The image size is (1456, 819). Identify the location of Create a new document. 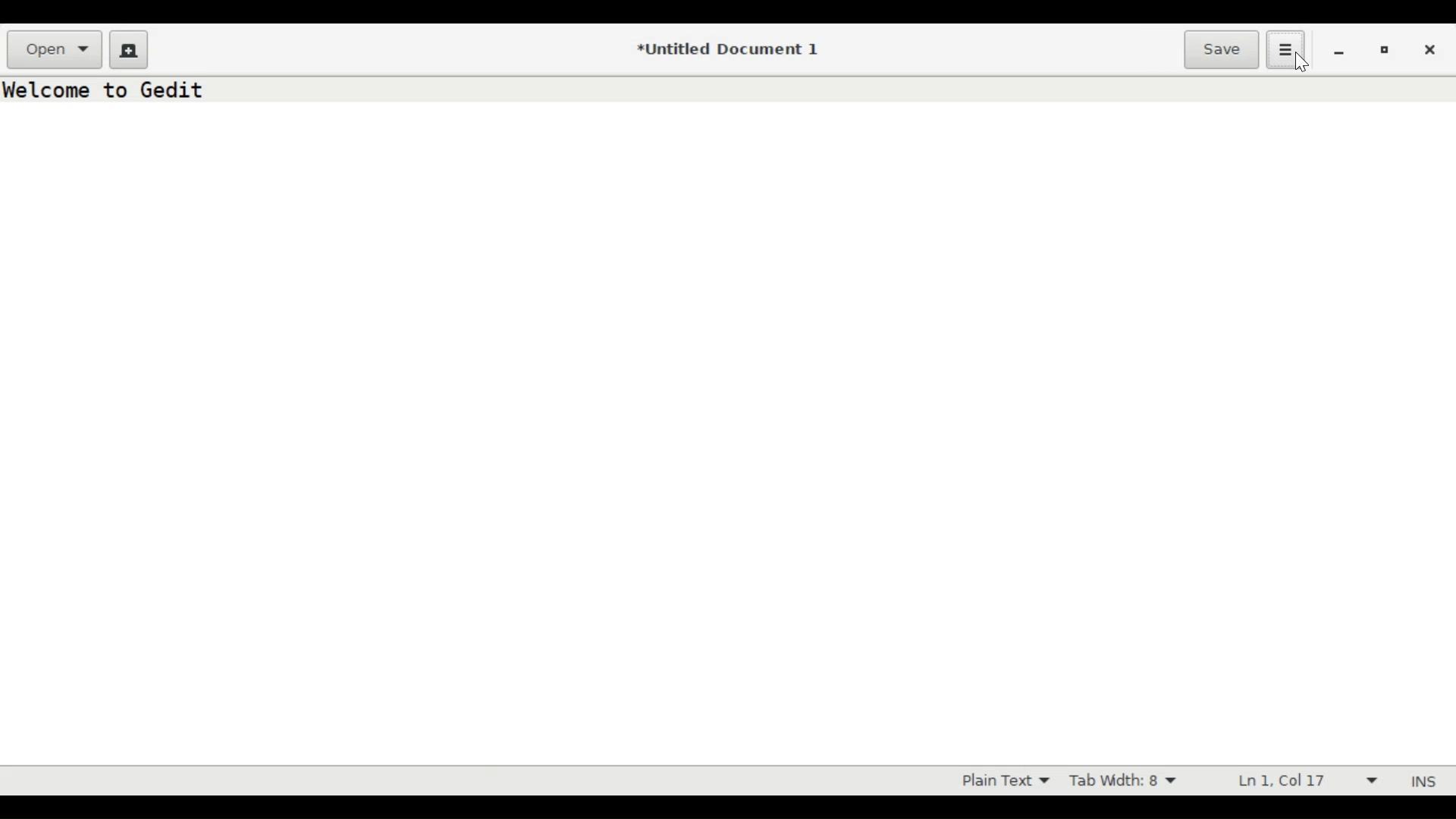
(129, 50).